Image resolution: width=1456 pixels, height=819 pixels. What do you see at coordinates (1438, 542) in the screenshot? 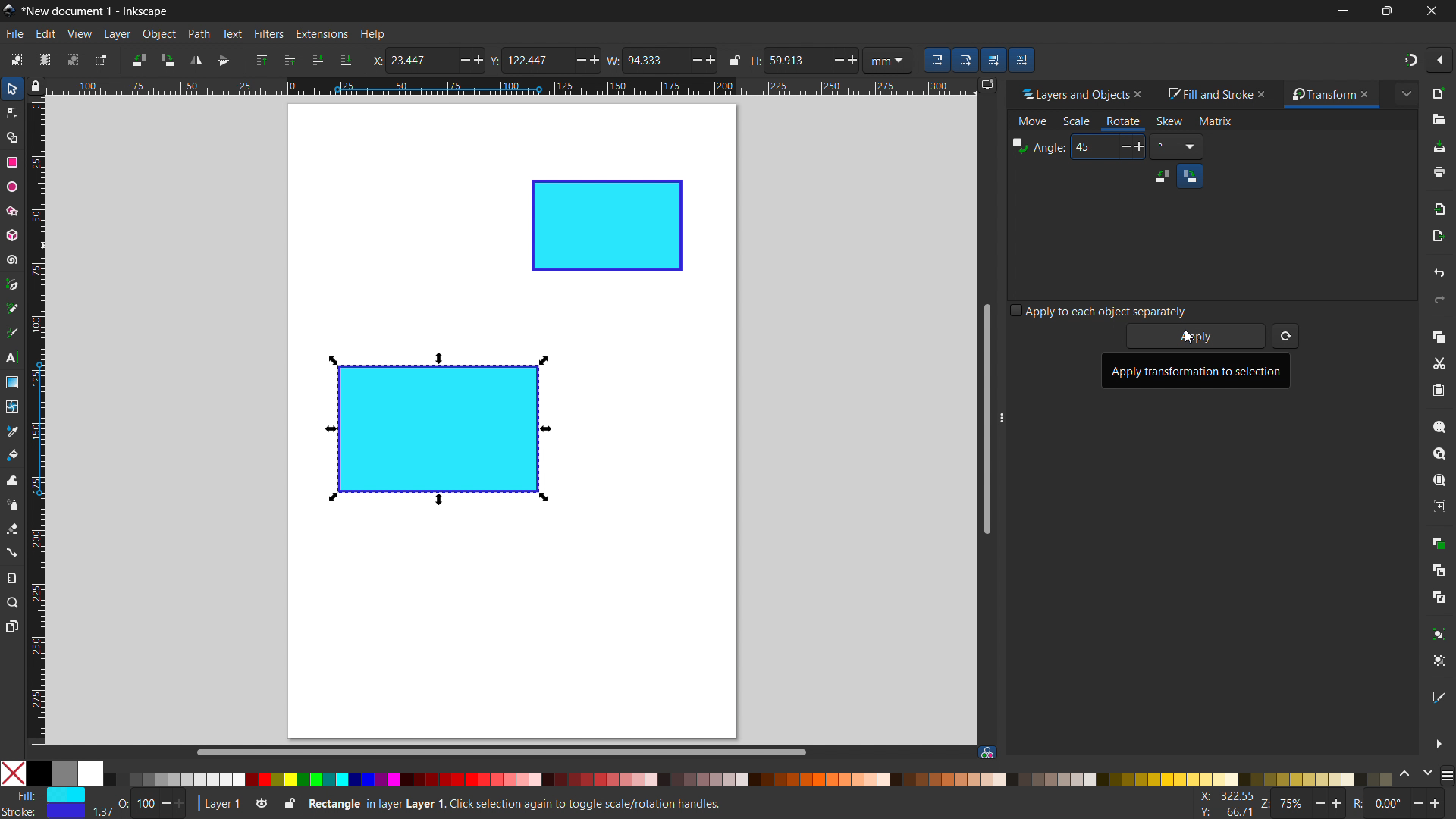
I see `duplicate` at bounding box center [1438, 542].